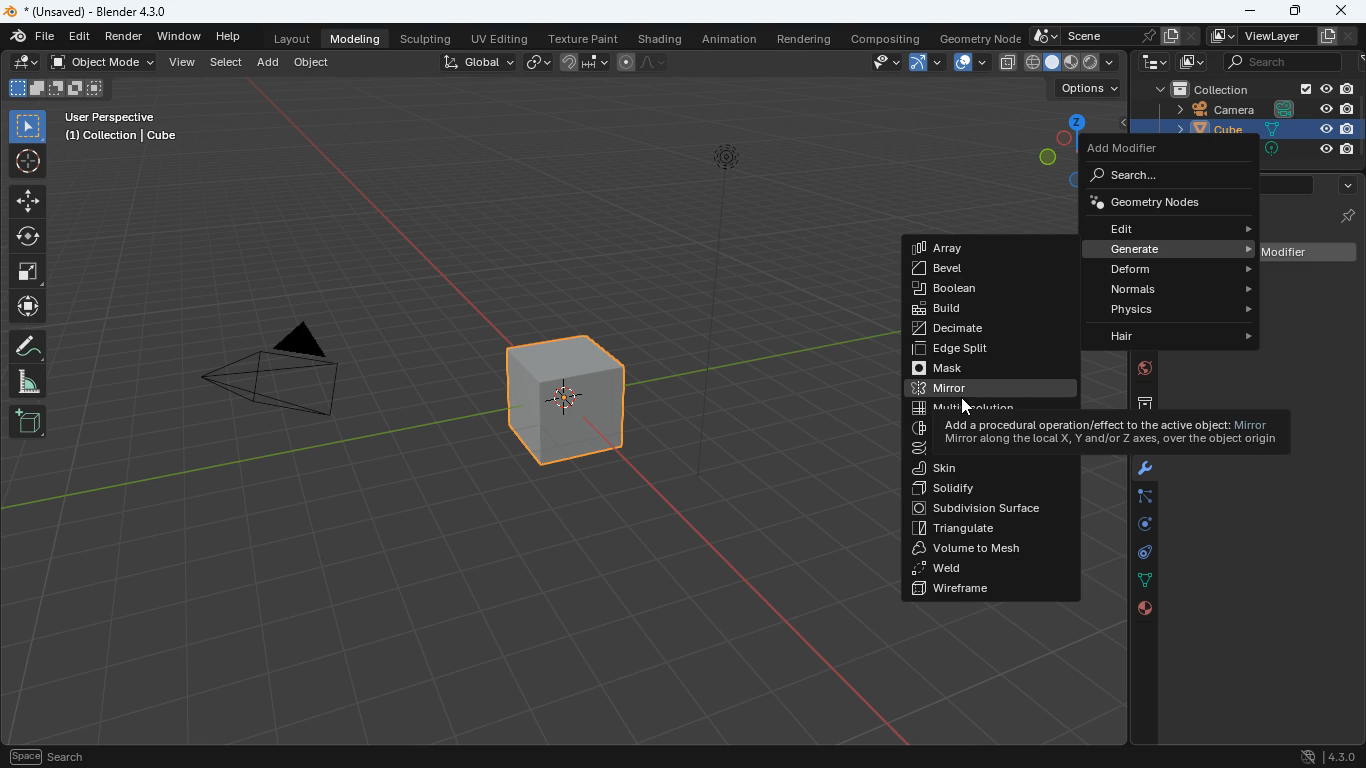 This screenshot has height=768, width=1366. What do you see at coordinates (1130, 150) in the screenshot?
I see `add modifier` at bounding box center [1130, 150].